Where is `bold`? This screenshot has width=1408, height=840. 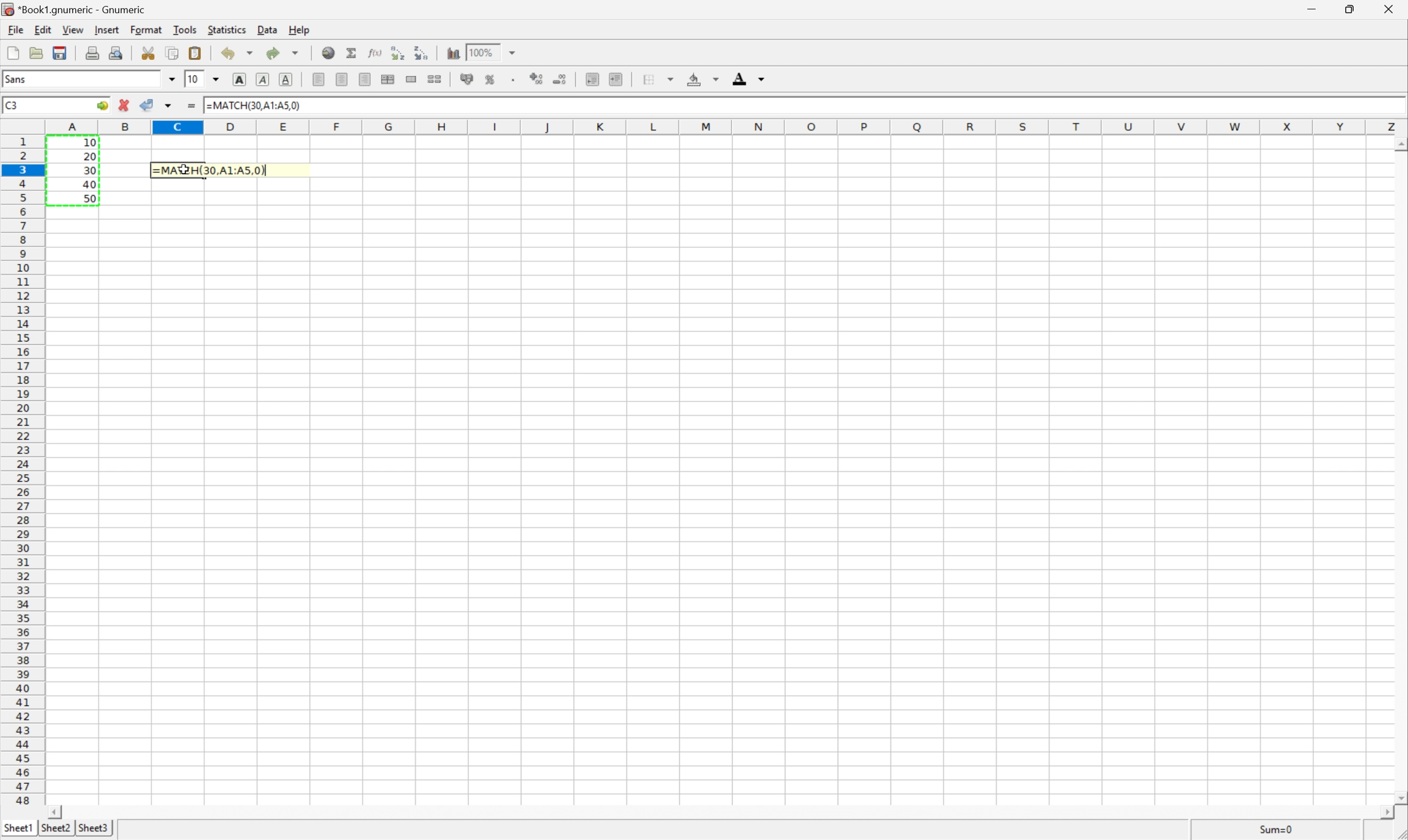
bold is located at coordinates (239, 79).